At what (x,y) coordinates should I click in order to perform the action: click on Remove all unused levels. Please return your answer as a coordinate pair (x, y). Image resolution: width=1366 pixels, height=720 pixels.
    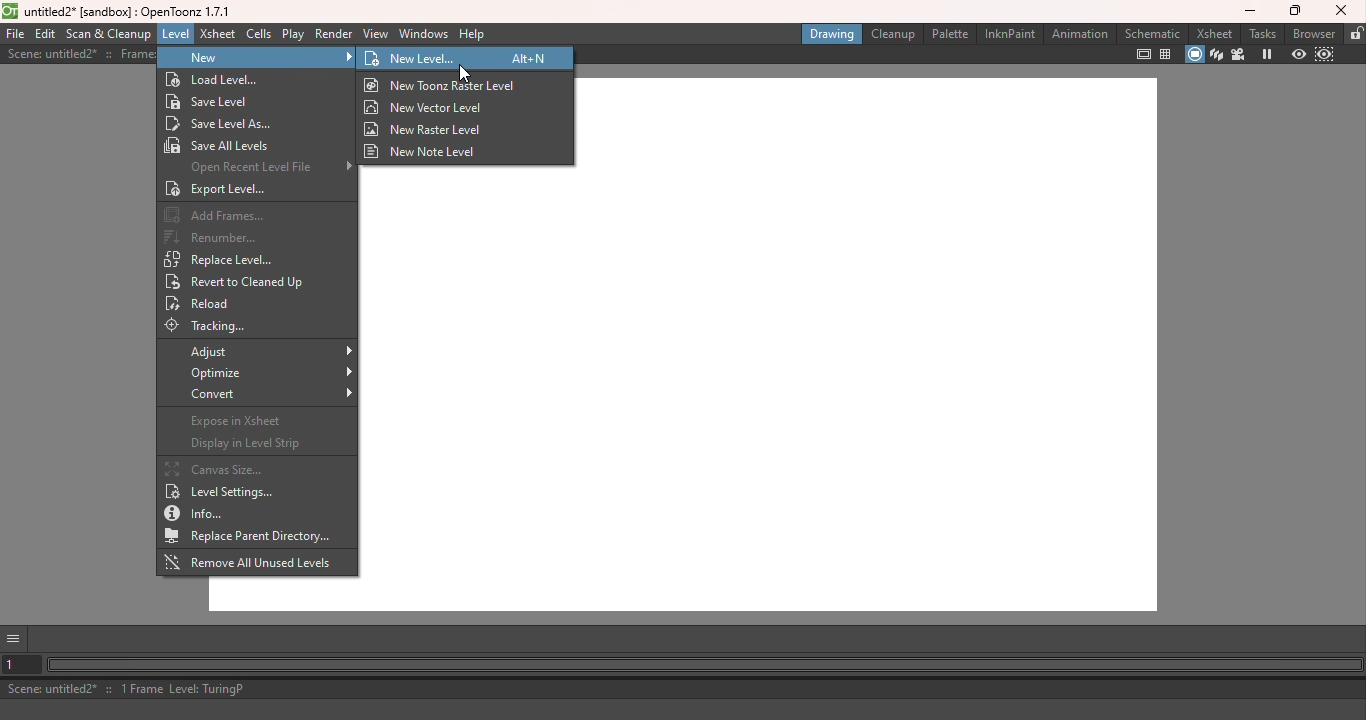
    Looking at the image, I should click on (250, 562).